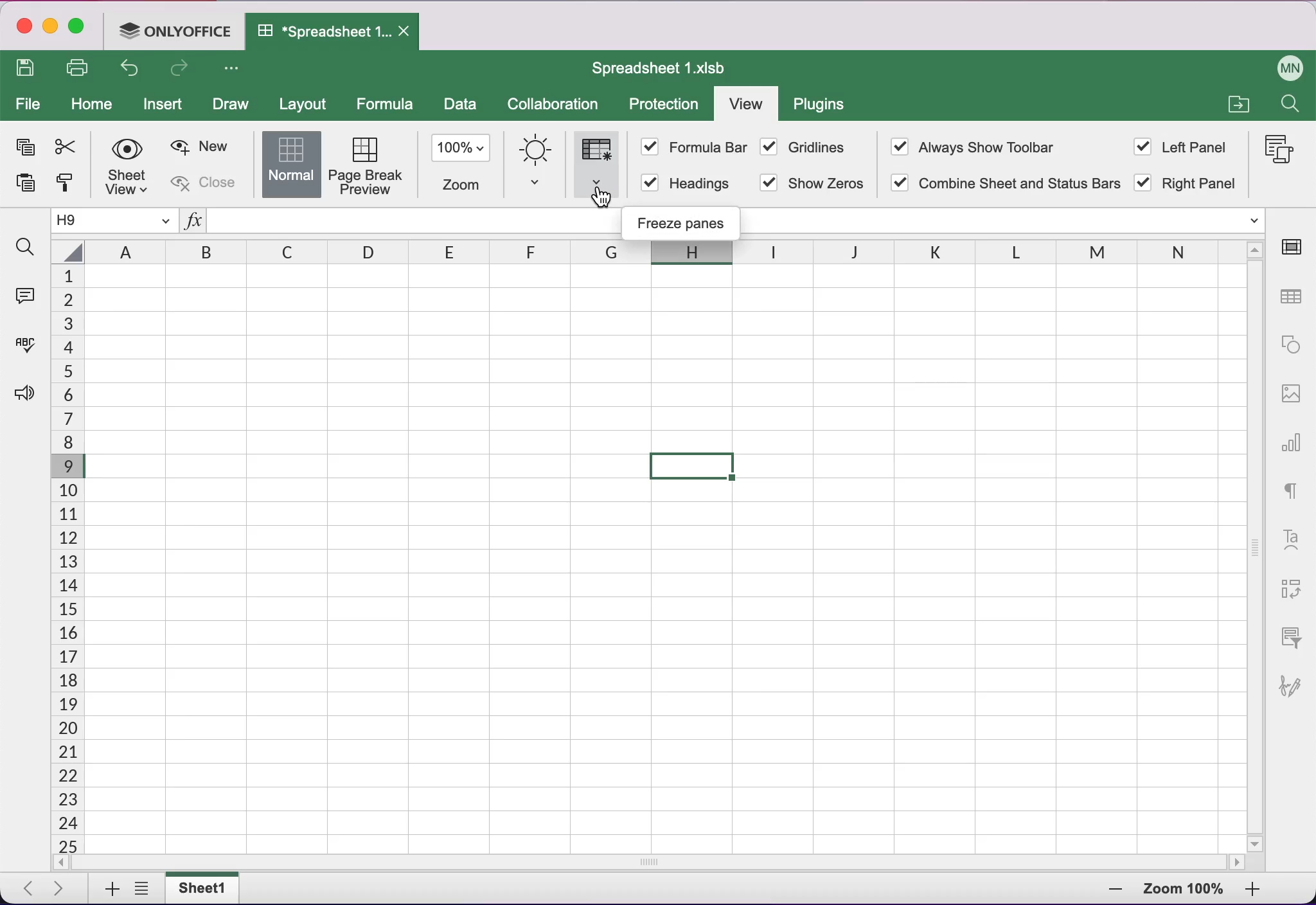 The image size is (1316, 905). Describe the element at coordinates (26, 248) in the screenshot. I see `find` at that location.